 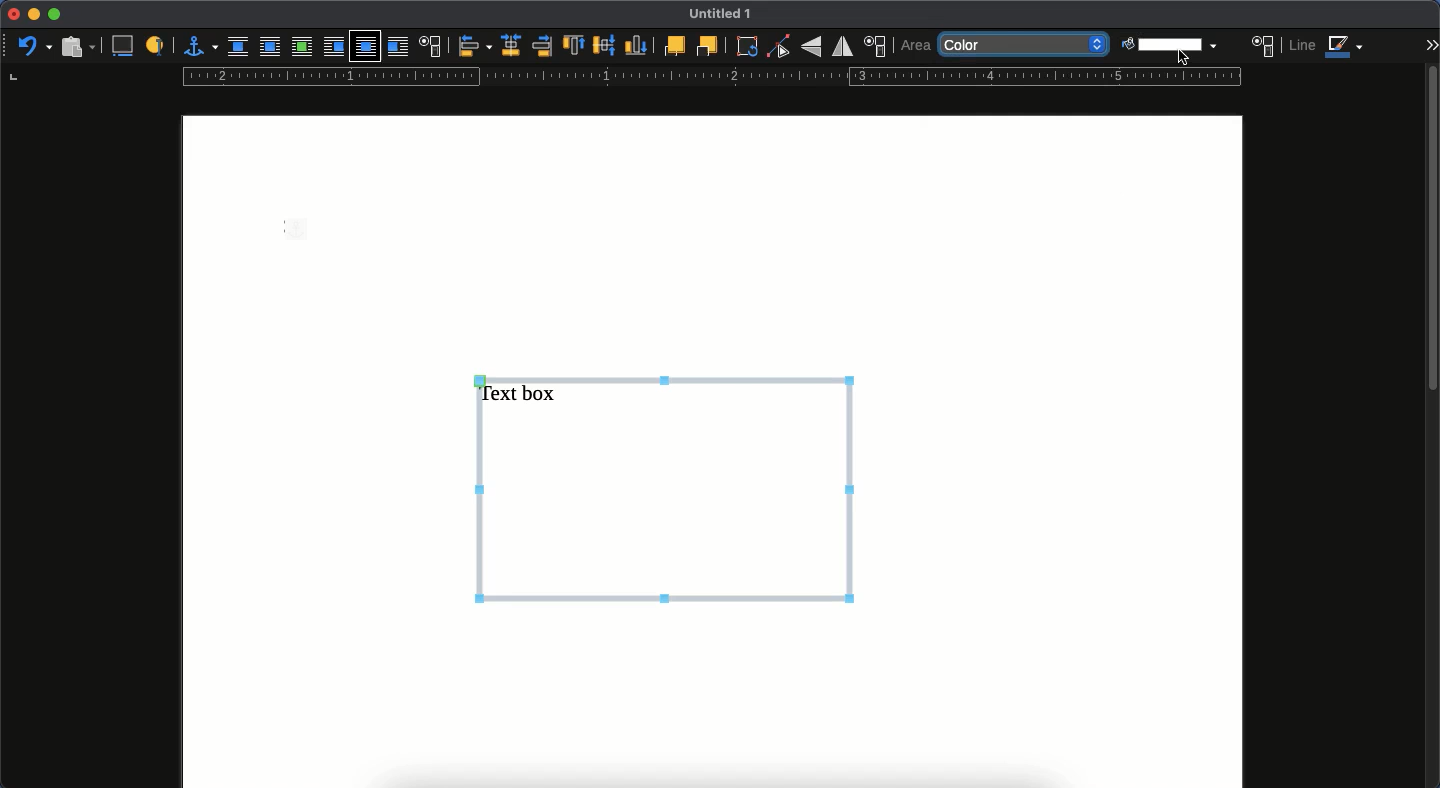 What do you see at coordinates (877, 46) in the screenshot?
I see `position and size` at bounding box center [877, 46].